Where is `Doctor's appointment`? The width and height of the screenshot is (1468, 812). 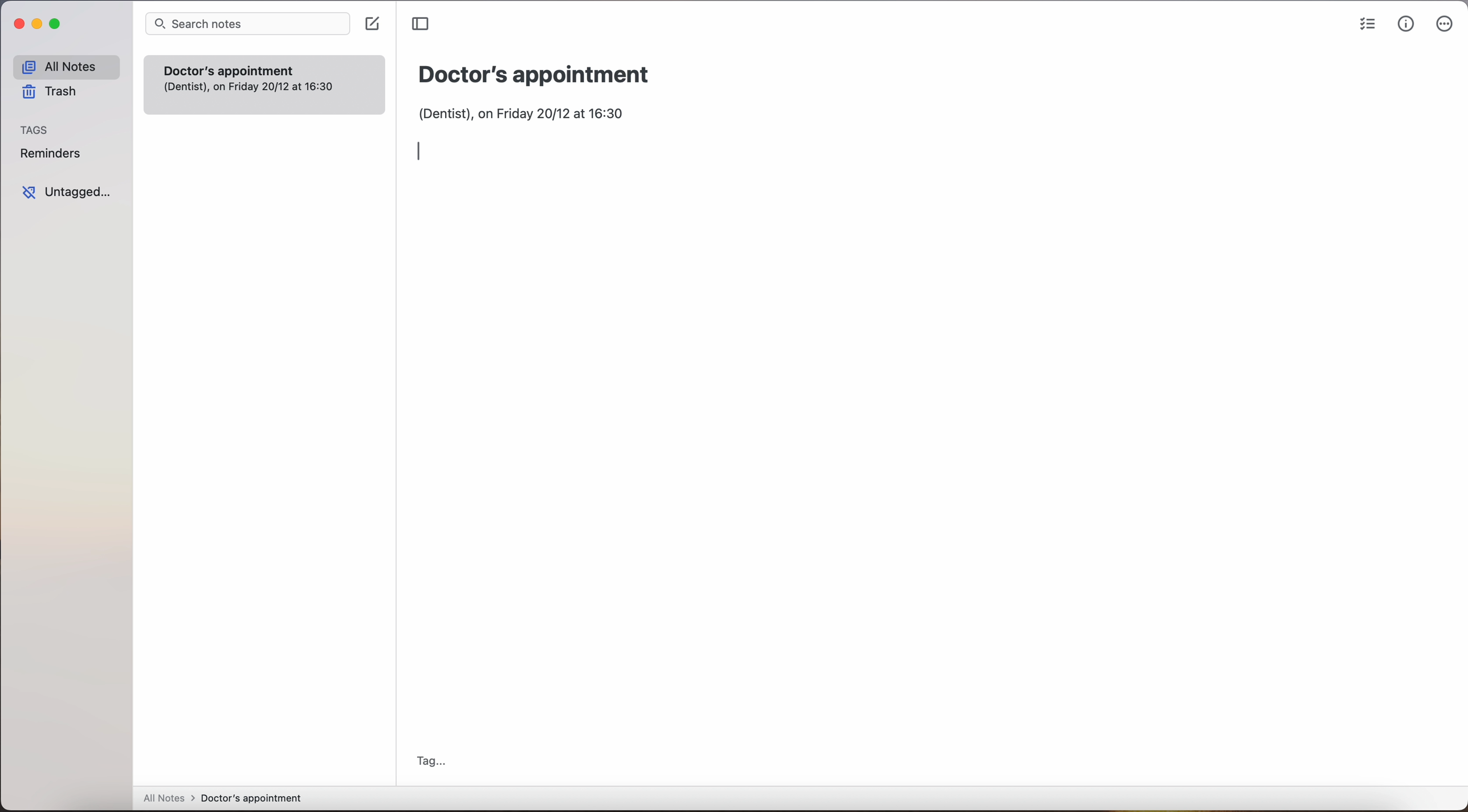
Doctor's appointment is located at coordinates (535, 75).